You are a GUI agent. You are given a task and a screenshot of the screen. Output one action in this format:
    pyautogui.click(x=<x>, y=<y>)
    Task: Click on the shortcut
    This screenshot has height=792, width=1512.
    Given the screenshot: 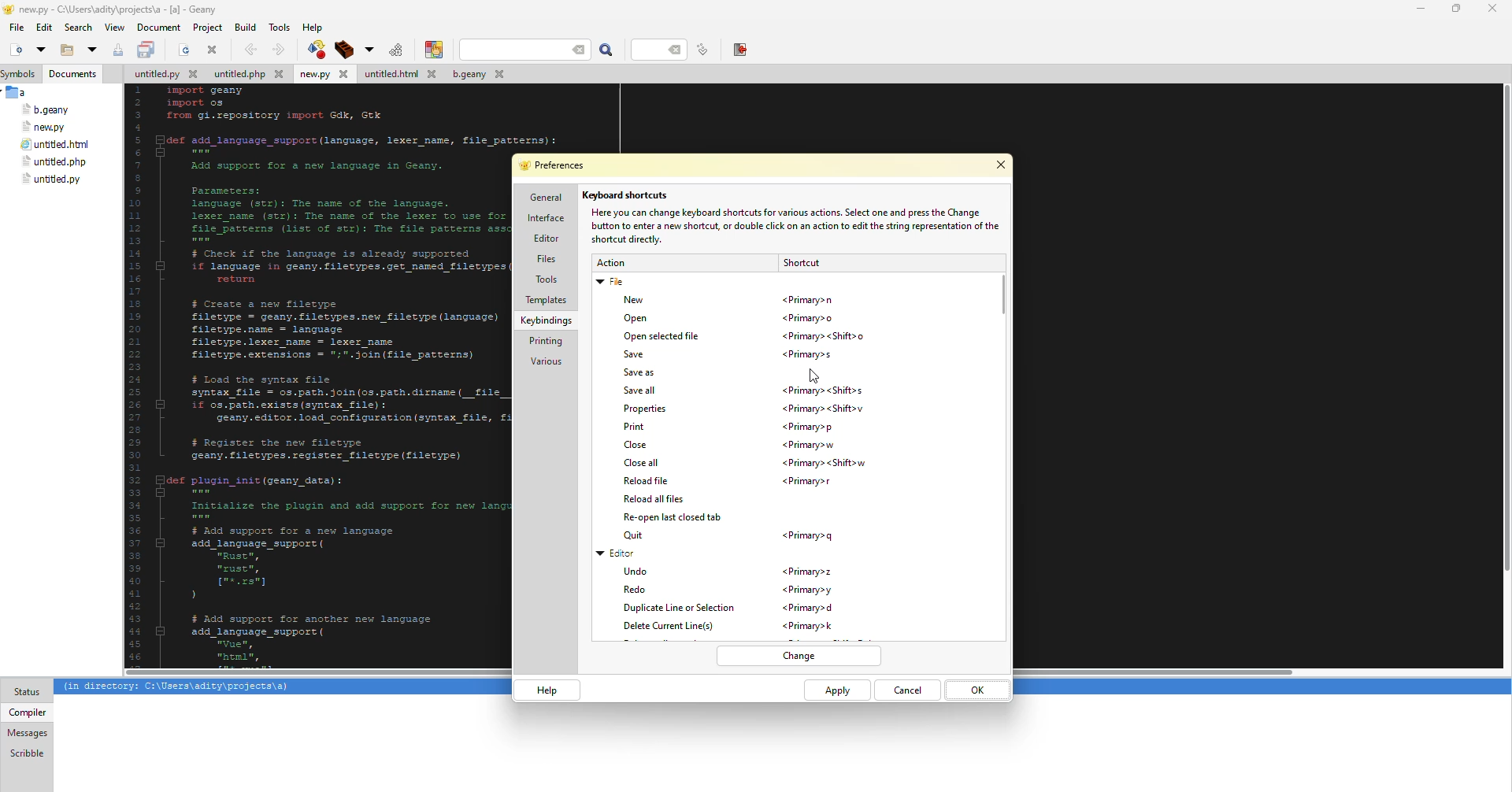 What is the action you would take?
    pyautogui.click(x=807, y=427)
    